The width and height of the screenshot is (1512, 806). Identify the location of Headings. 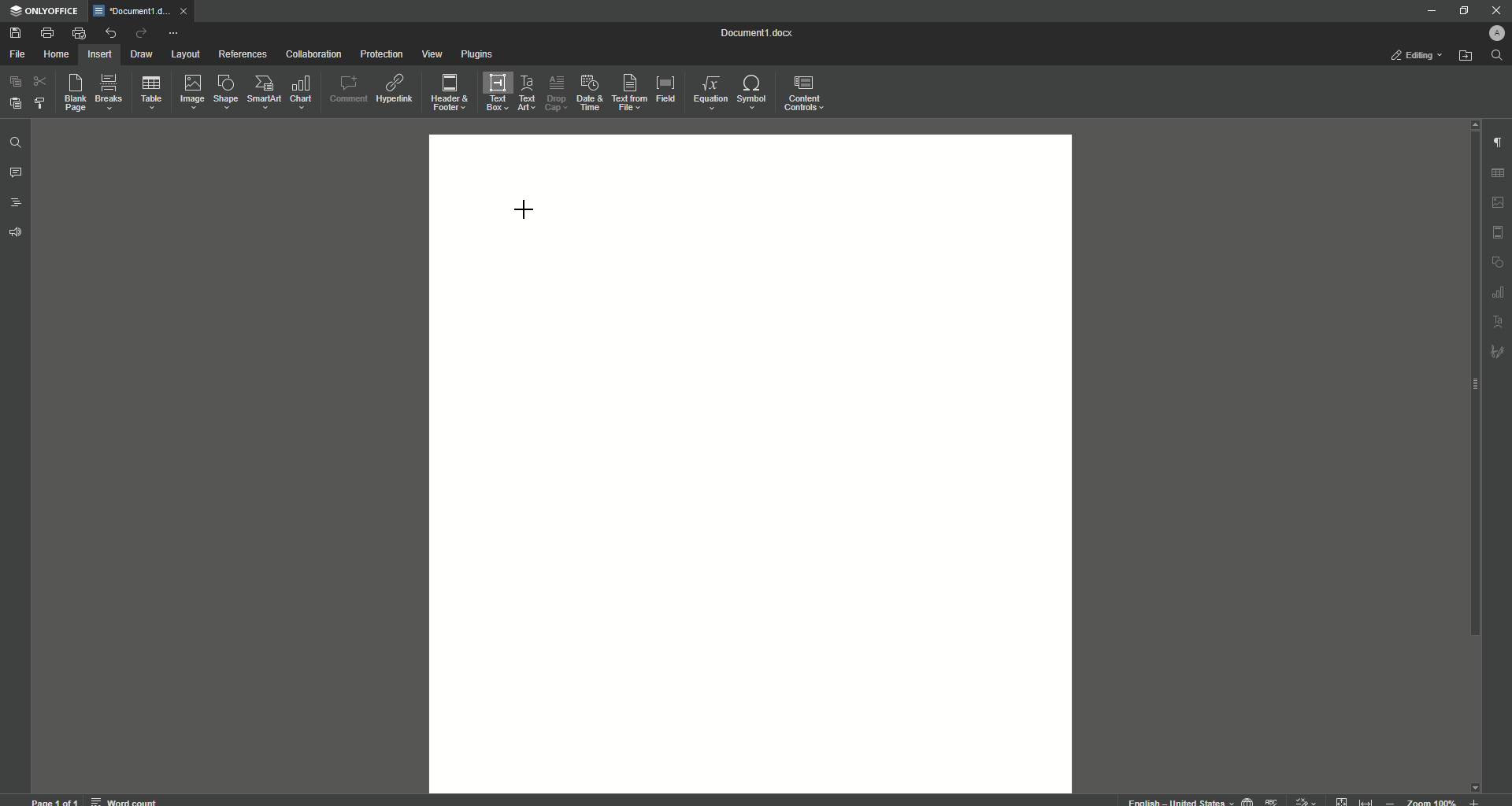
(17, 203).